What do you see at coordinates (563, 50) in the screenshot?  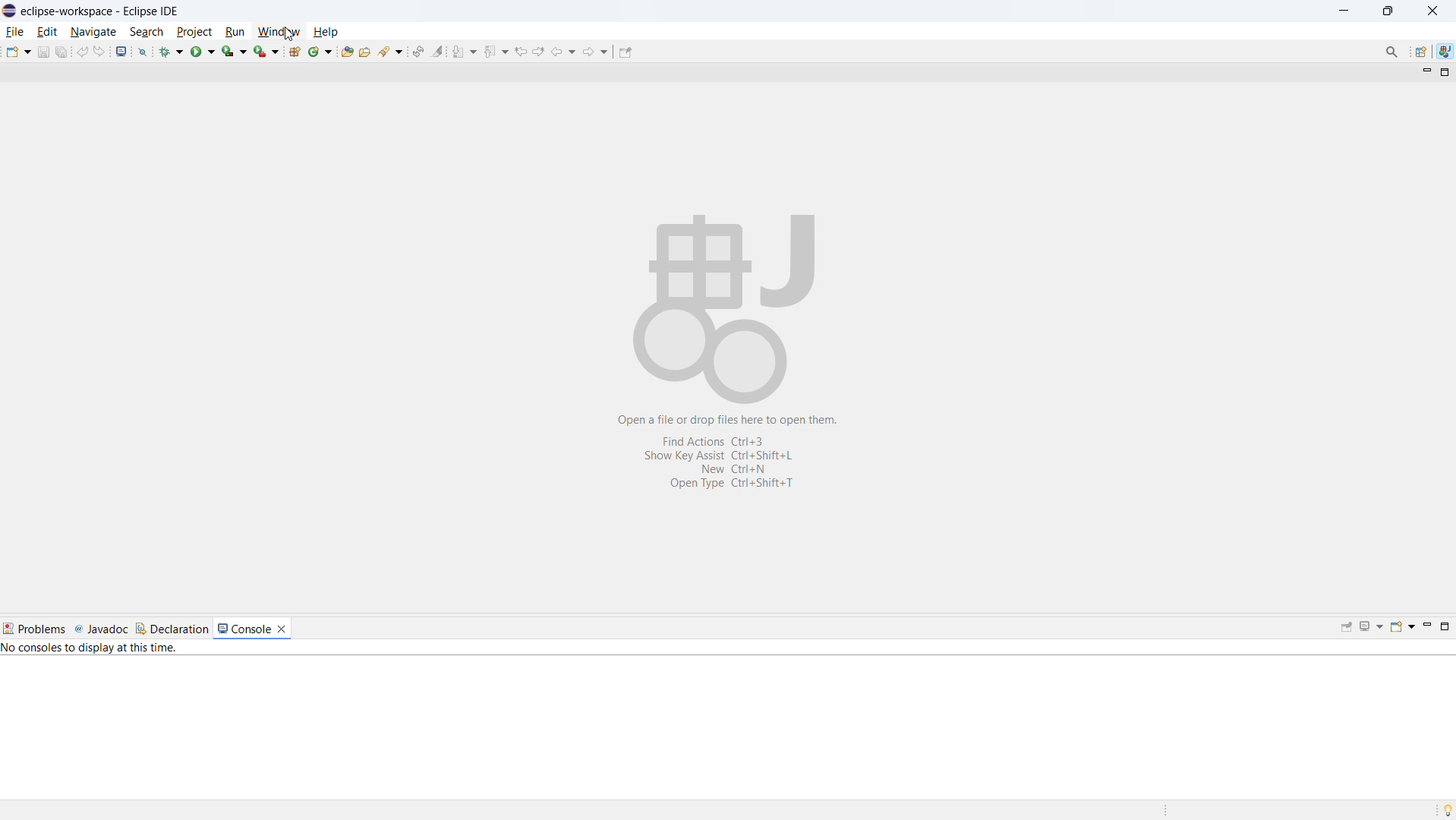 I see `back` at bounding box center [563, 50].